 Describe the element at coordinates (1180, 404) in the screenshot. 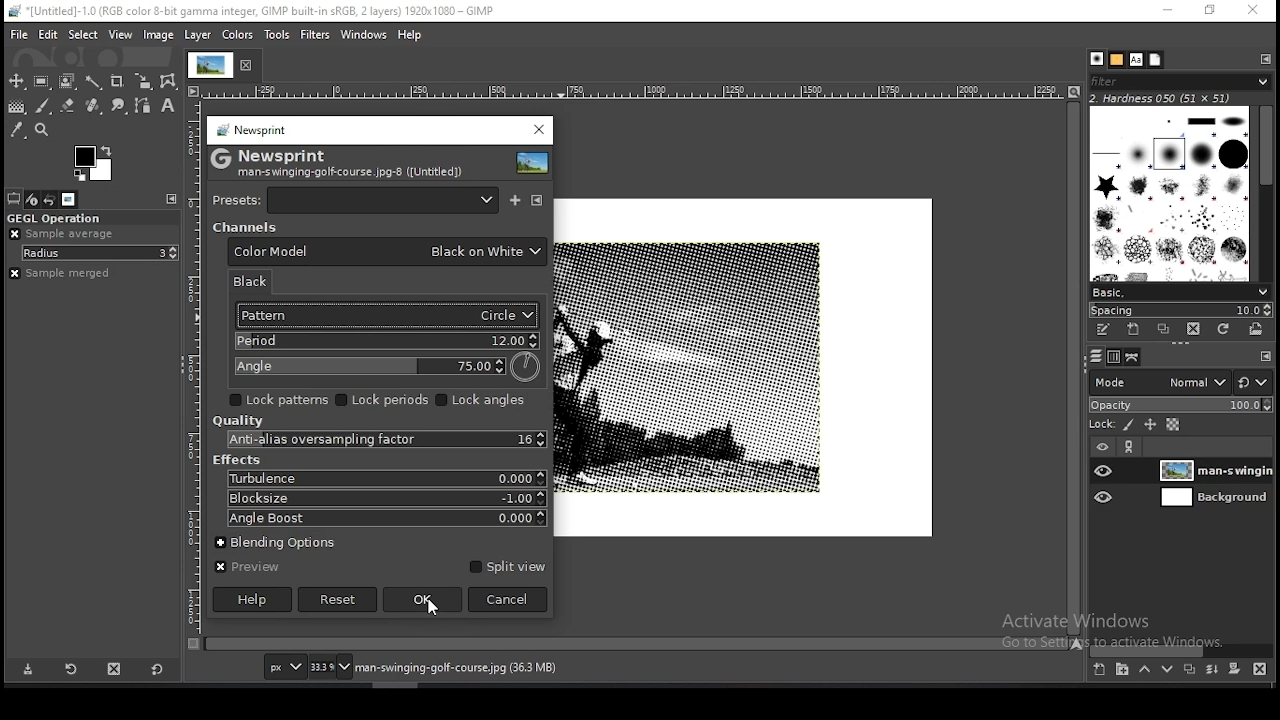

I see `opacity` at that location.